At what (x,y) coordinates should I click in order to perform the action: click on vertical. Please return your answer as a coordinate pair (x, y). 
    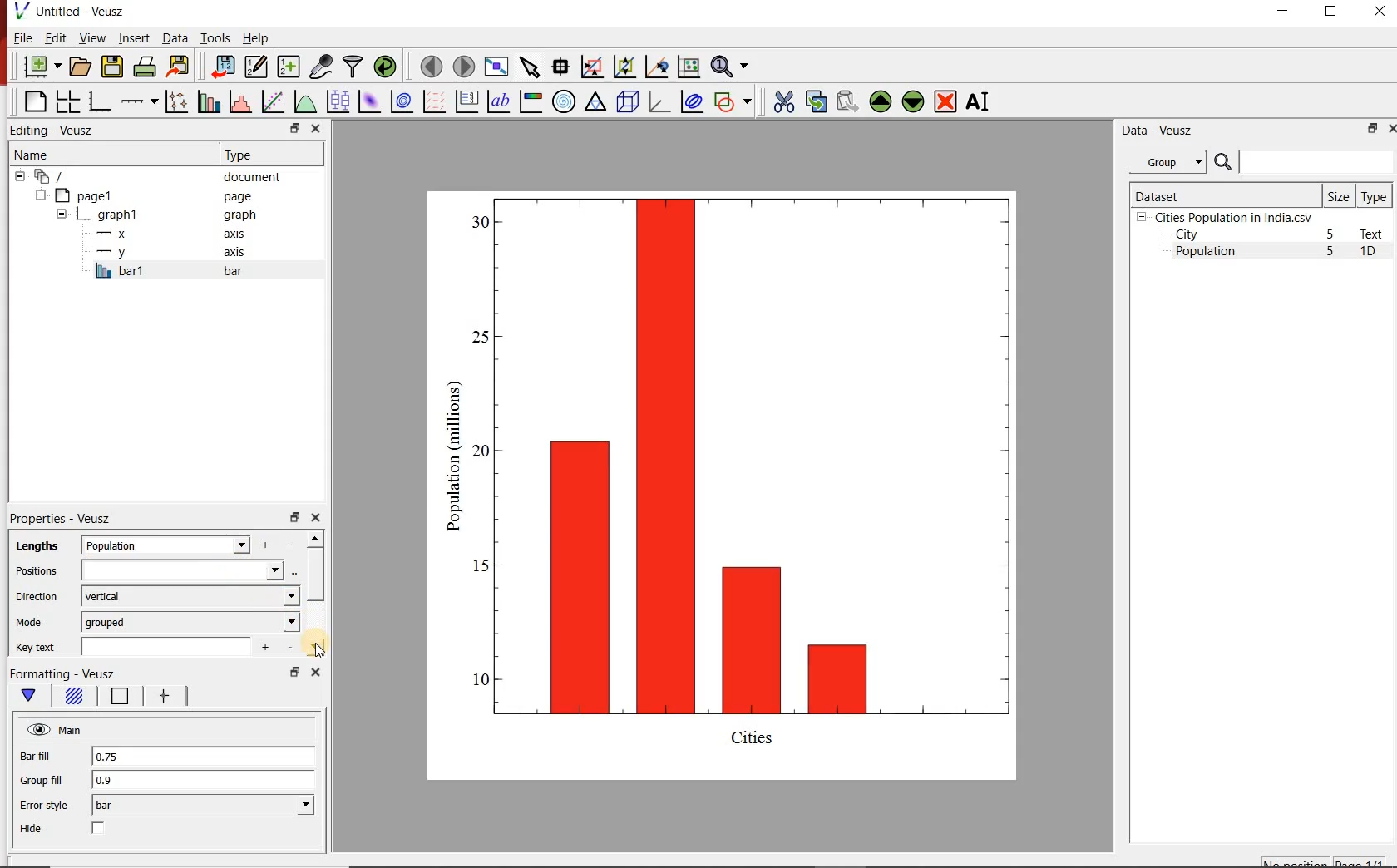
    Looking at the image, I should click on (190, 596).